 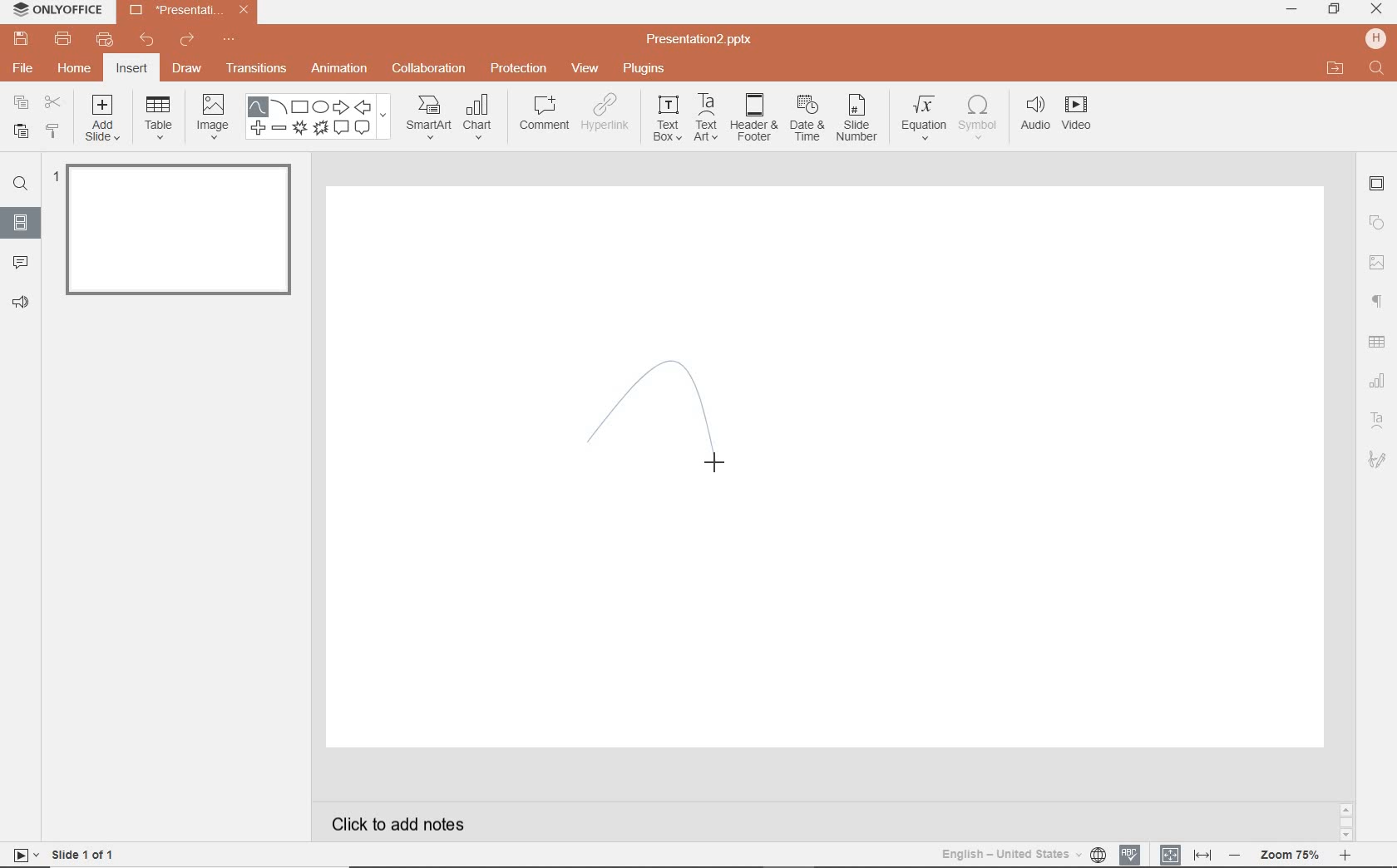 I want to click on INSERT, so click(x=132, y=69).